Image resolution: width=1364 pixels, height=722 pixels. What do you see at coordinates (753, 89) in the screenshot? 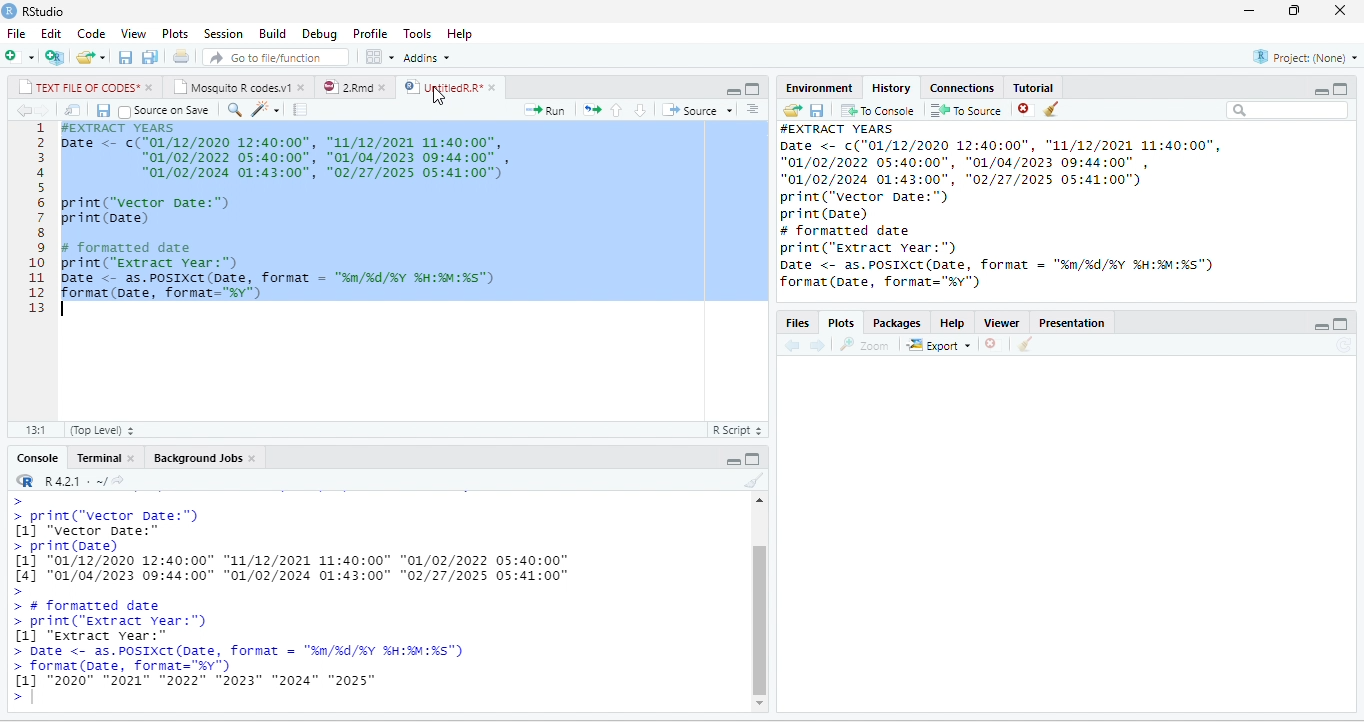
I see `maximize` at bounding box center [753, 89].